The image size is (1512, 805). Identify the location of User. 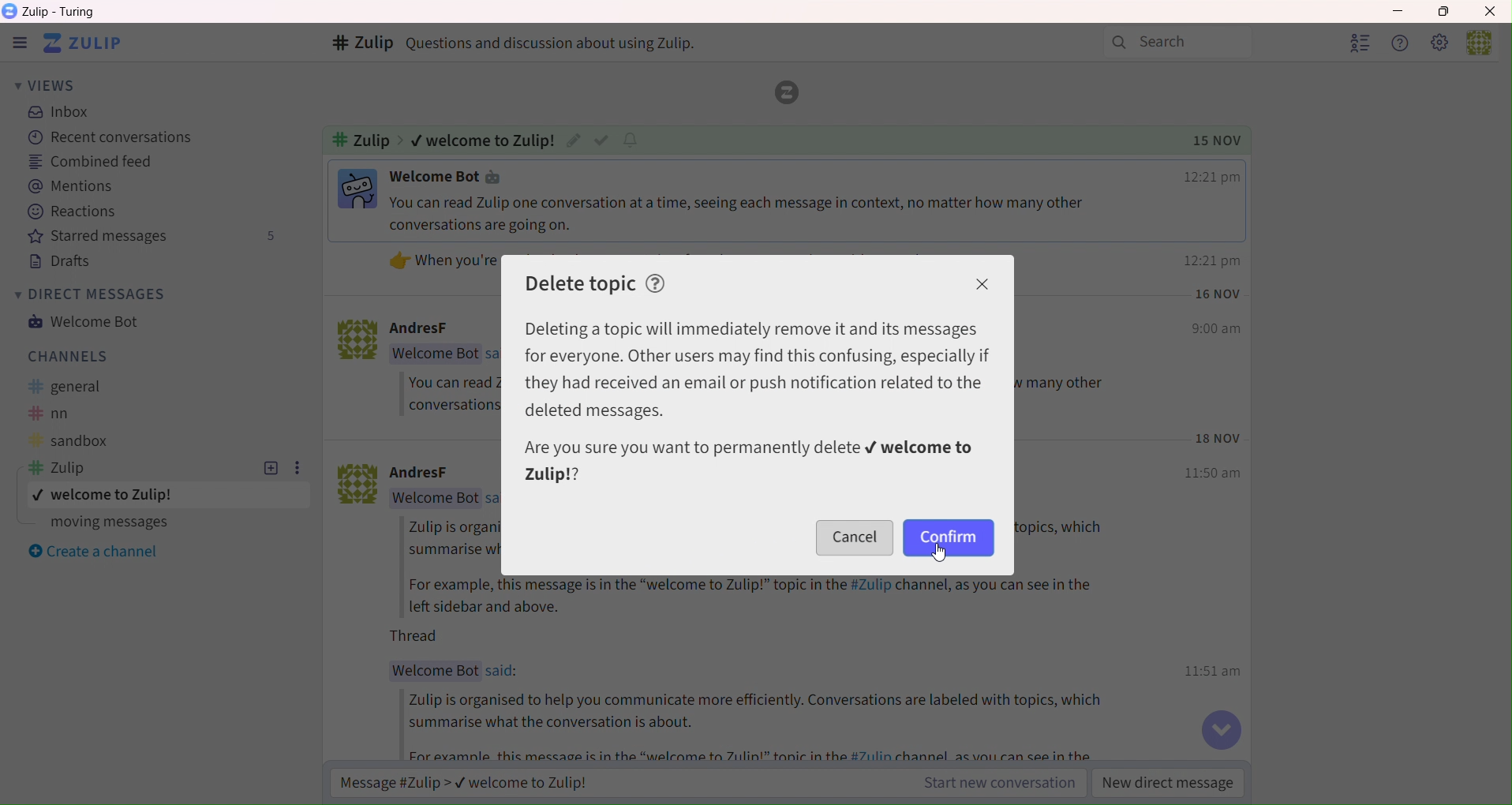
(1360, 44).